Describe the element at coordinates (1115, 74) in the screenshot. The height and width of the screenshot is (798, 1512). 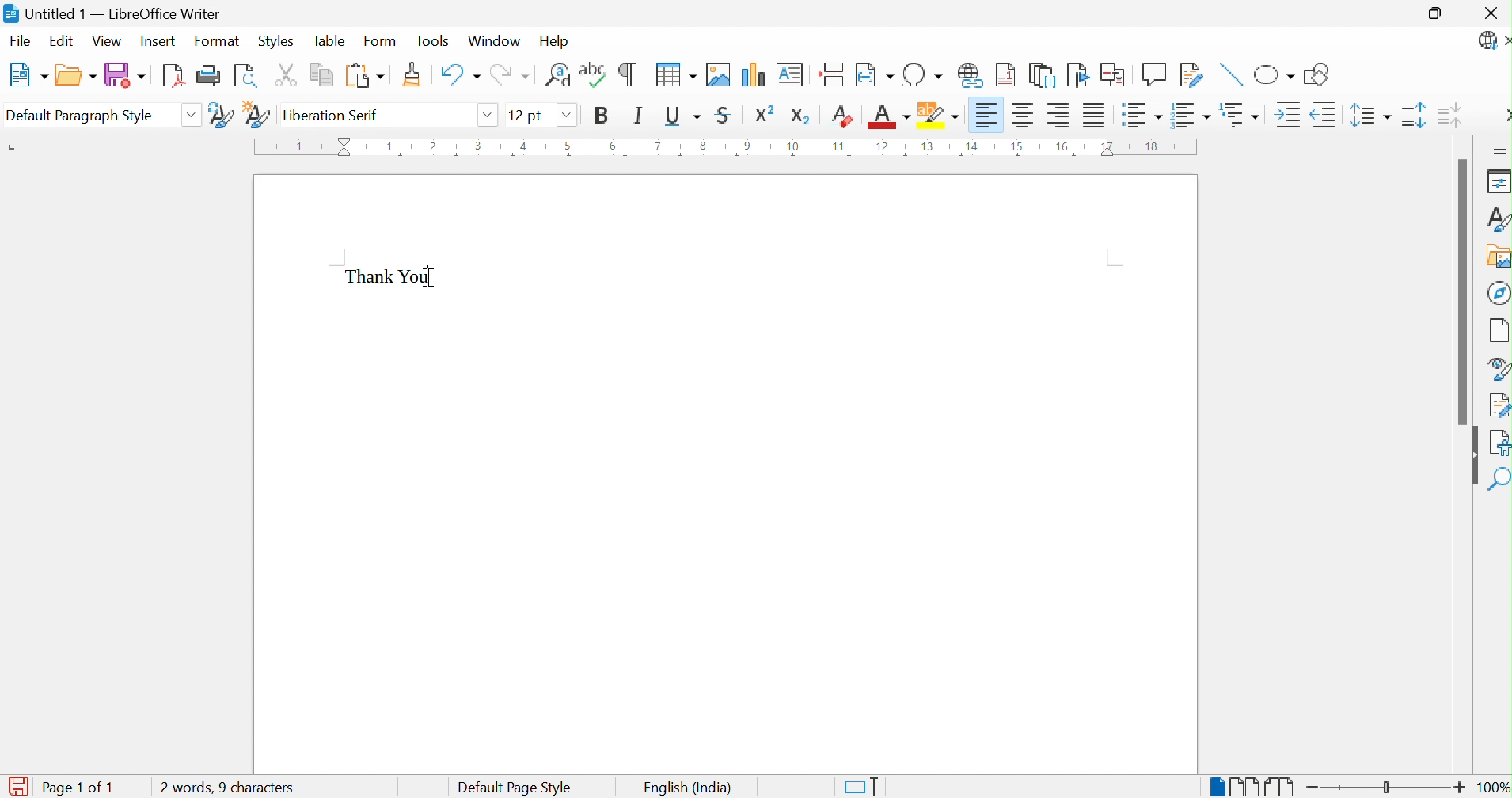
I see `Insert Cross-reference` at that location.